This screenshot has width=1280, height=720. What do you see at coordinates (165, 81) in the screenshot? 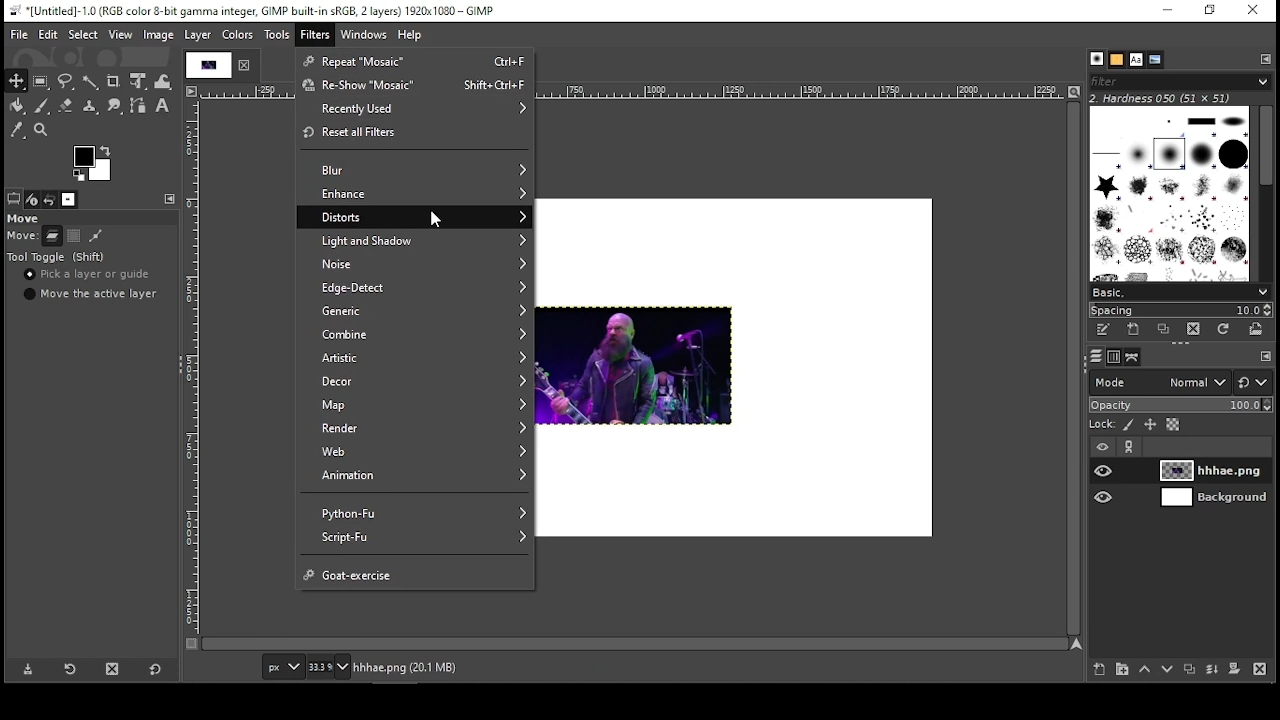
I see `warp transform tool` at bounding box center [165, 81].